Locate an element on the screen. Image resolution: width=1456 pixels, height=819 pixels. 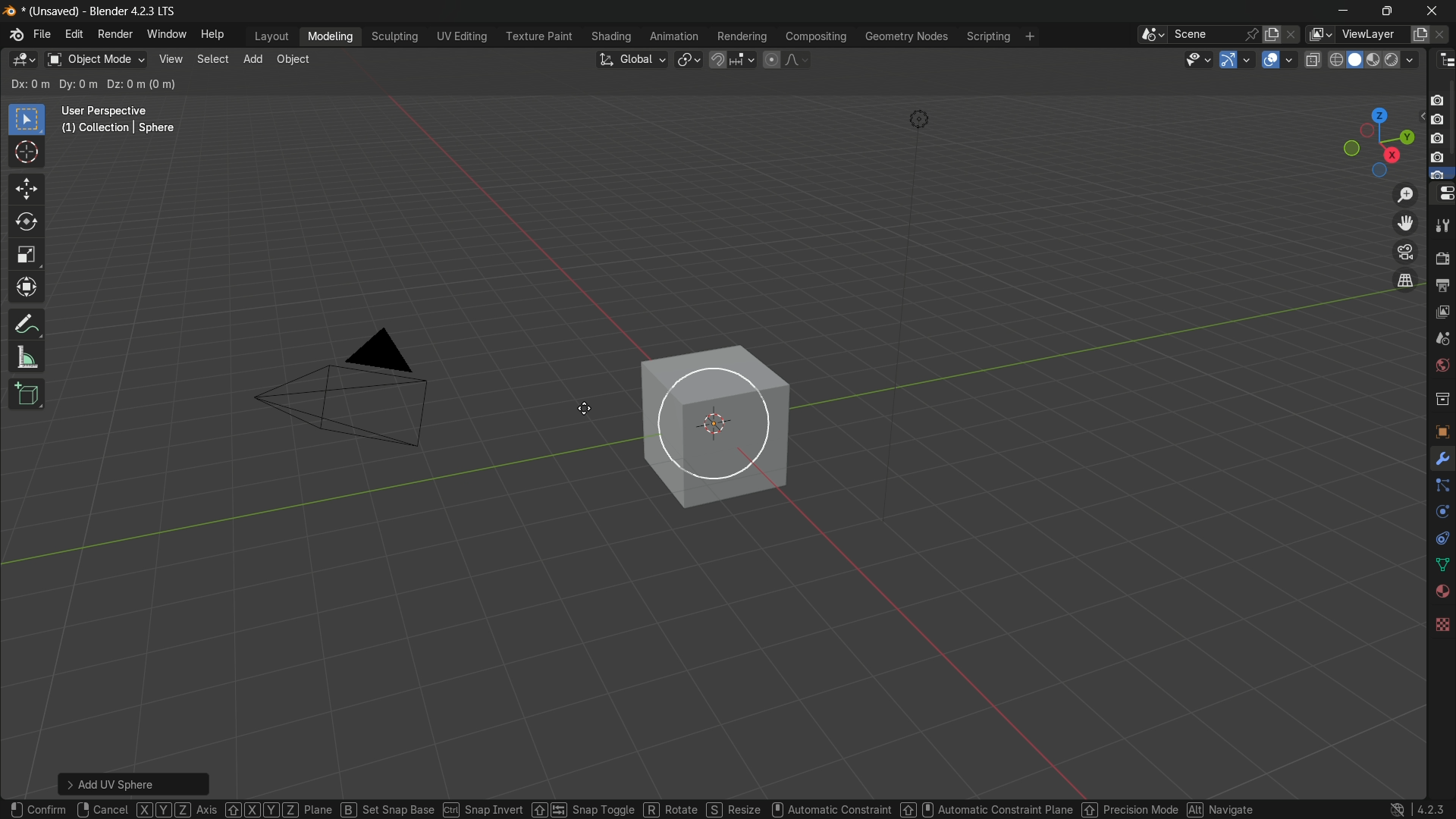
scene name is located at coordinates (1203, 35).